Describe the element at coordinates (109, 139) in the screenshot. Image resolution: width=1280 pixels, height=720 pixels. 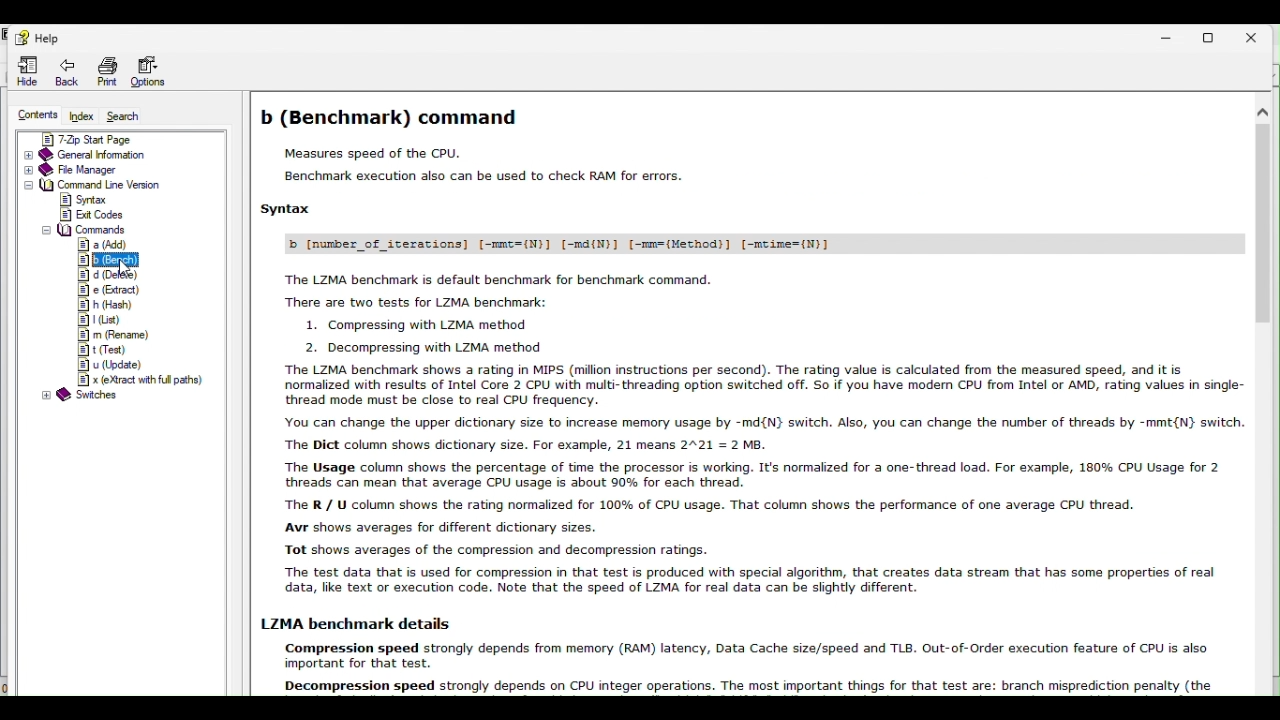
I see `7 zip start page` at that location.